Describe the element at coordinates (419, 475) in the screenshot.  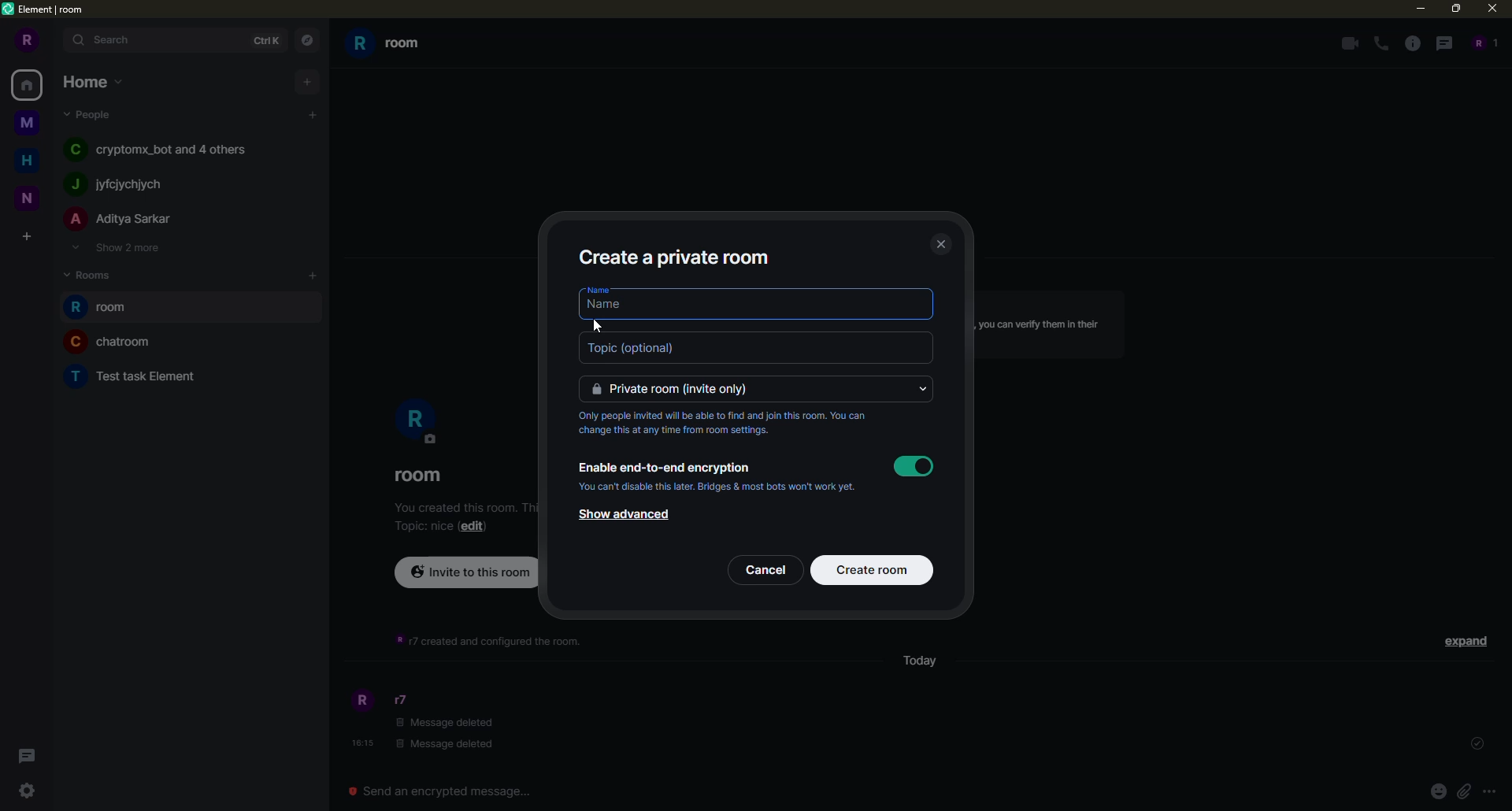
I see `room` at that location.